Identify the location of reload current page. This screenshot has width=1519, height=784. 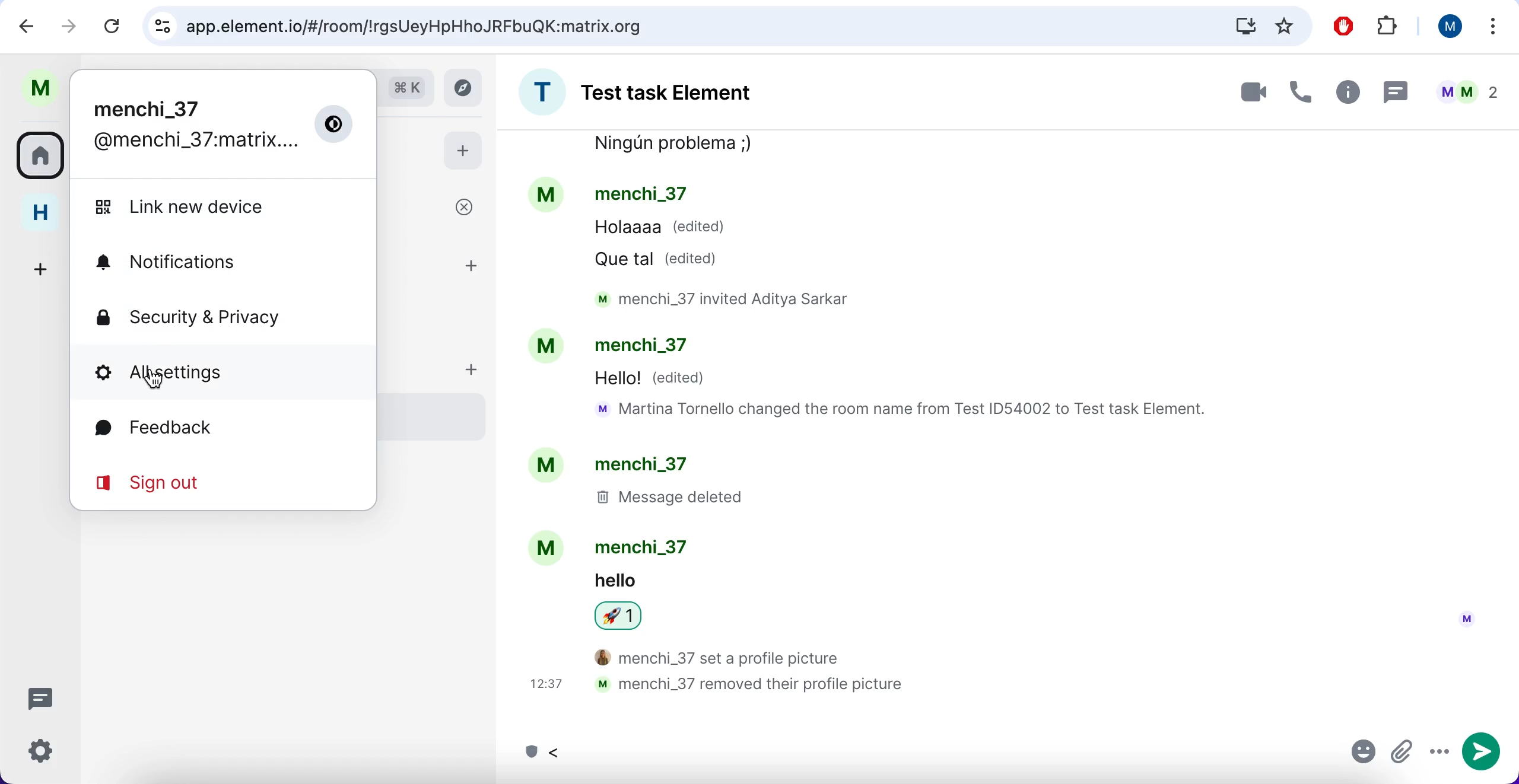
(110, 27).